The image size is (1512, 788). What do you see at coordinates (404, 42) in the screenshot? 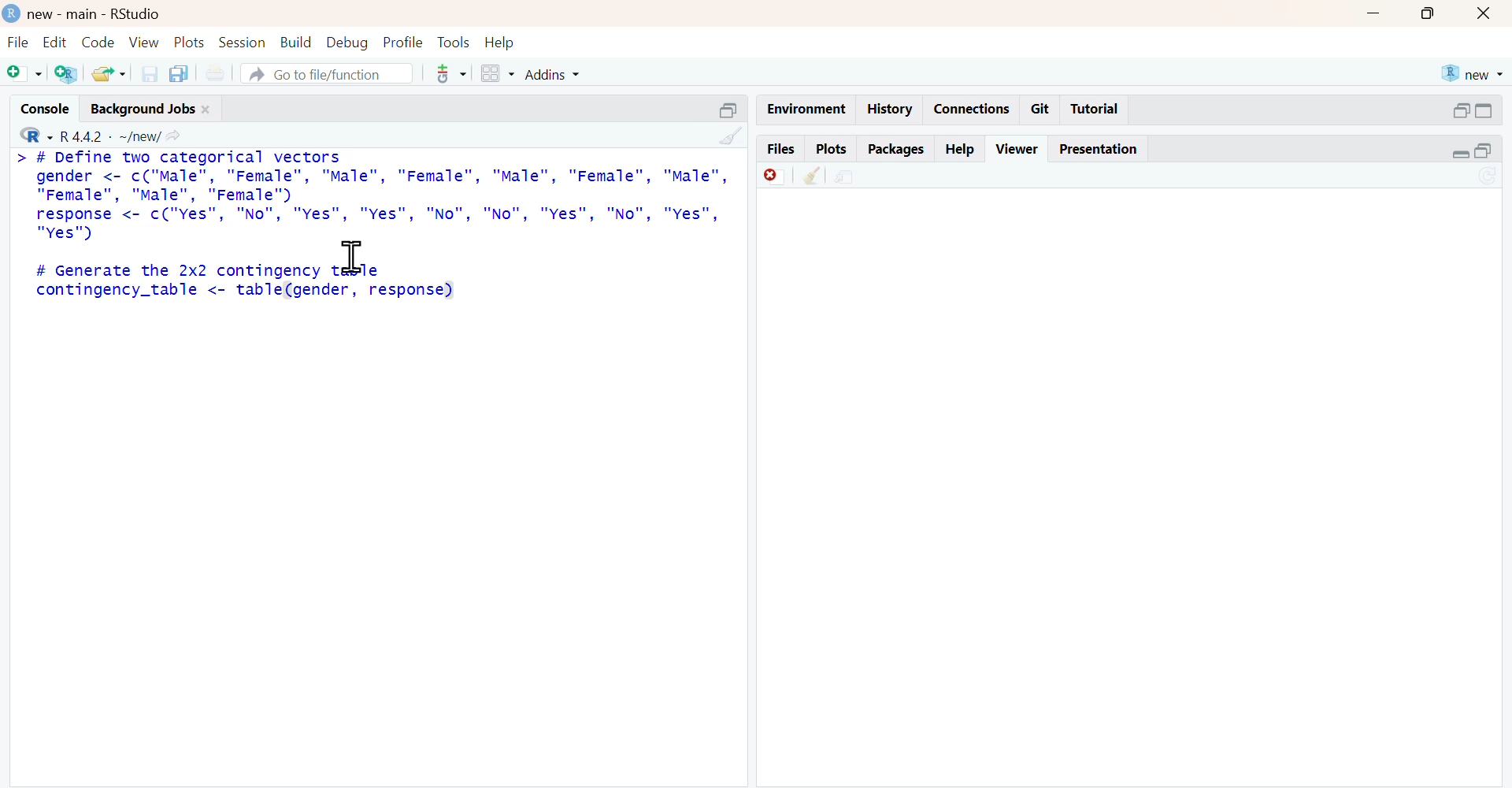
I see `profile` at bounding box center [404, 42].